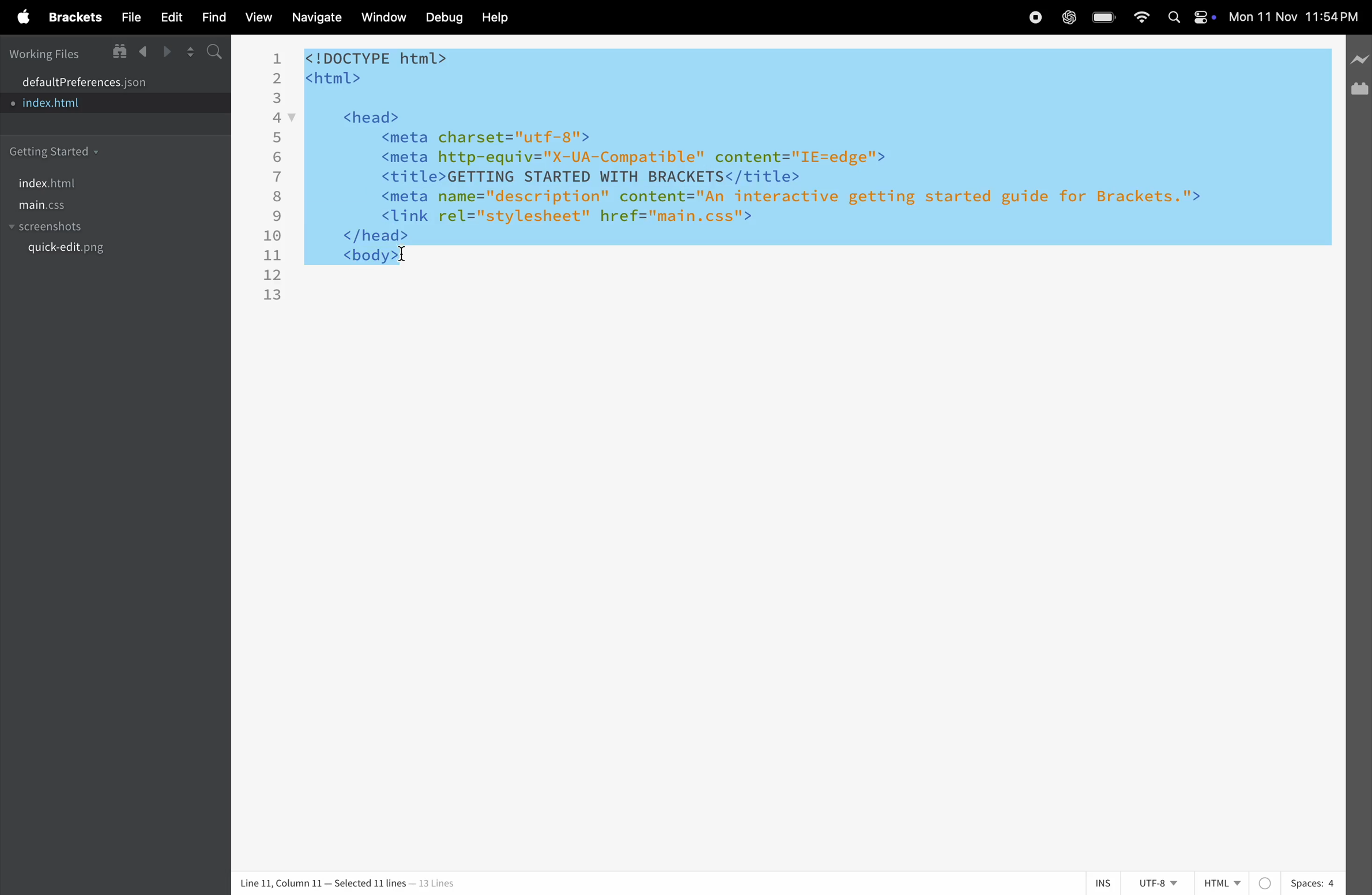 This screenshot has height=895, width=1372. Describe the element at coordinates (344, 881) in the screenshot. I see `column and lines` at that location.